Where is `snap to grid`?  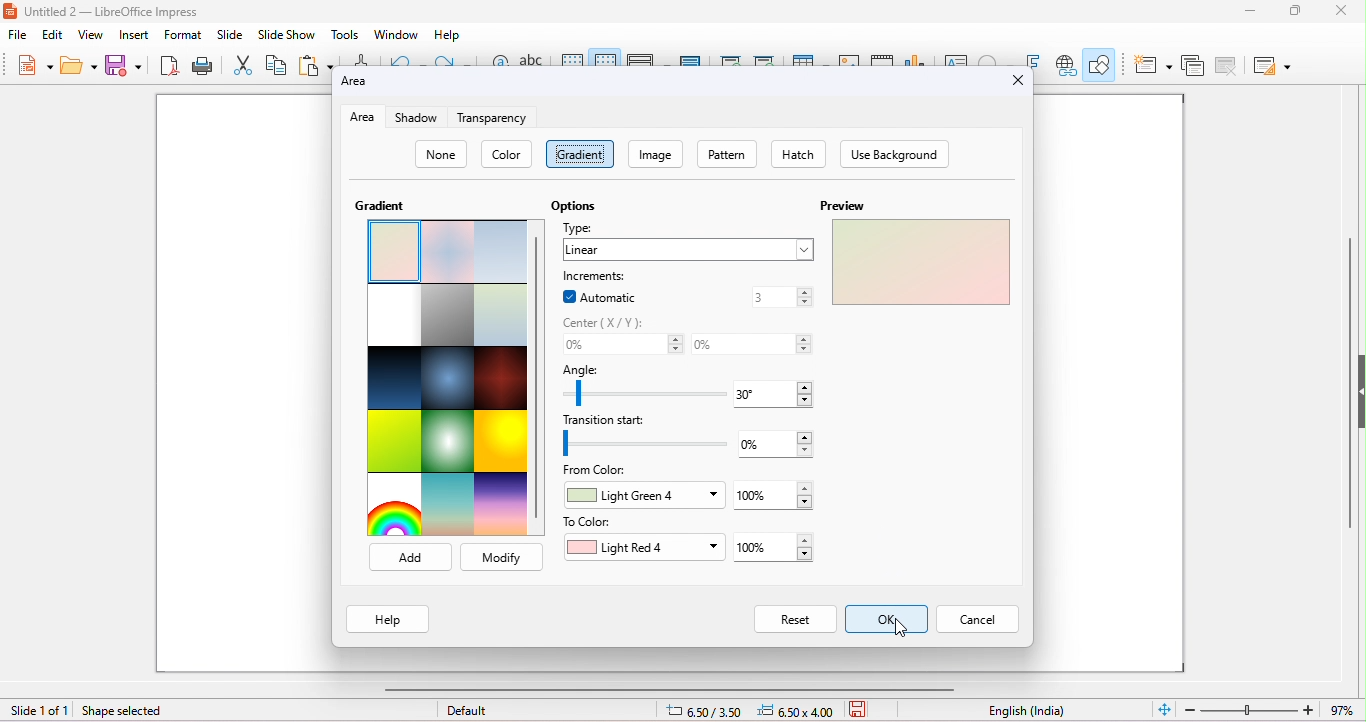 snap to grid is located at coordinates (604, 56).